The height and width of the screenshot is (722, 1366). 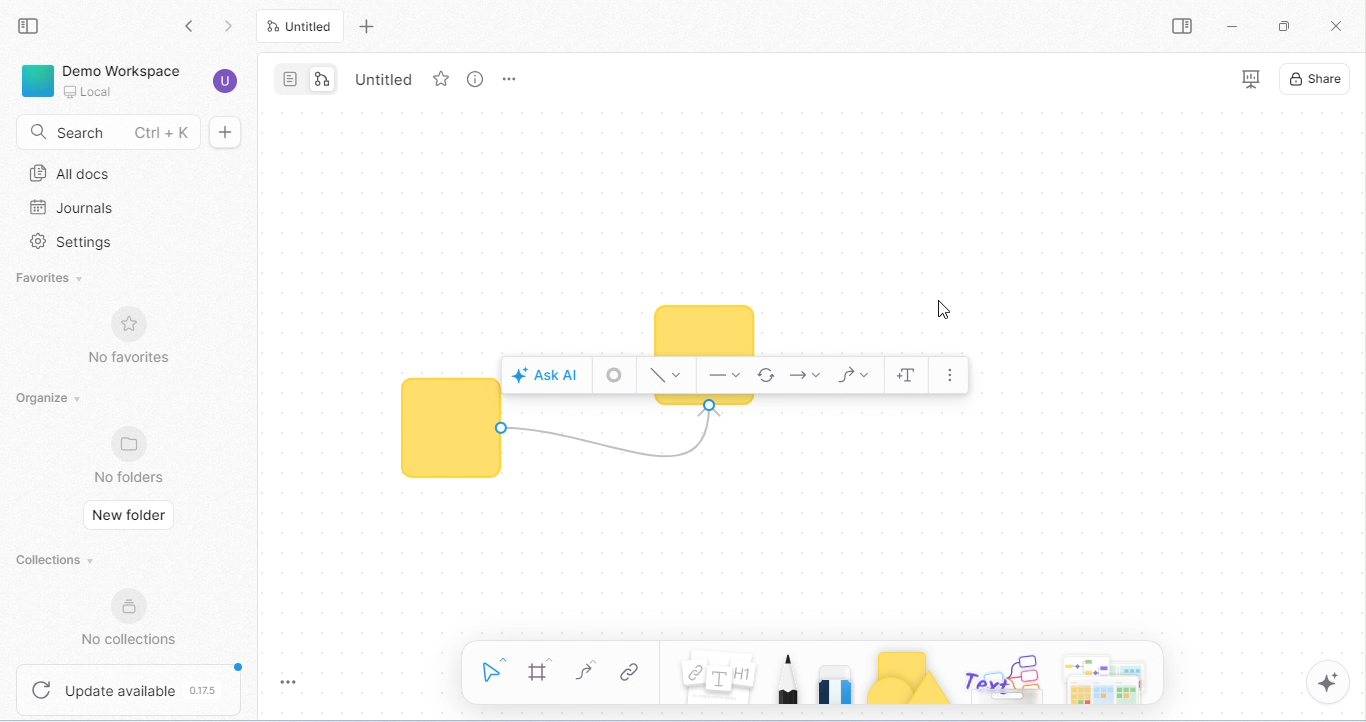 What do you see at coordinates (587, 671) in the screenshot?
I see `curve` at bounding box center [587, 671].